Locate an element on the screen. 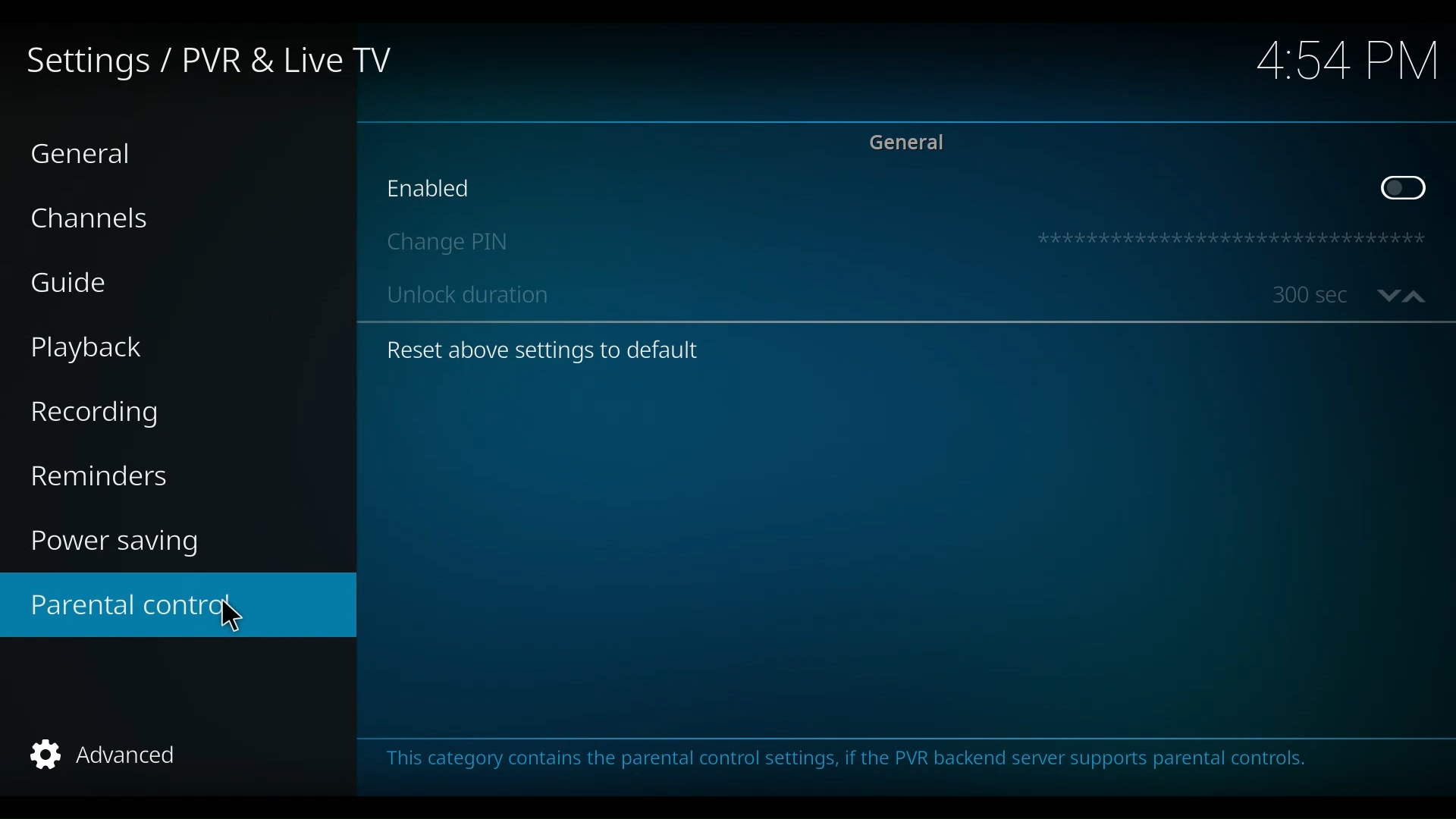  Playback is located at coordinates (88, 348).